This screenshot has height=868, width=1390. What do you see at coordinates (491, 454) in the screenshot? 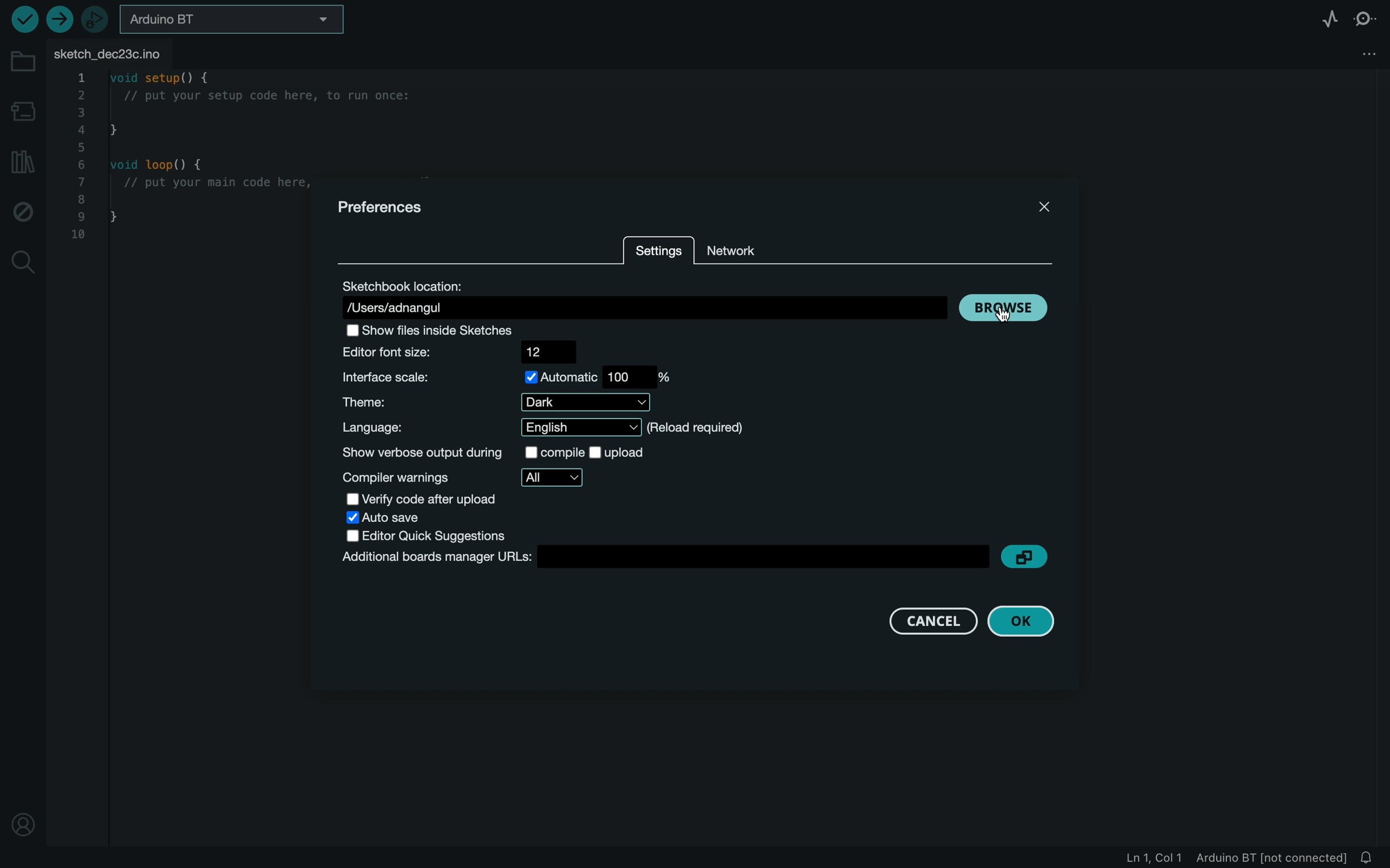
I see `show verbose` at bounding box center [491, 454].